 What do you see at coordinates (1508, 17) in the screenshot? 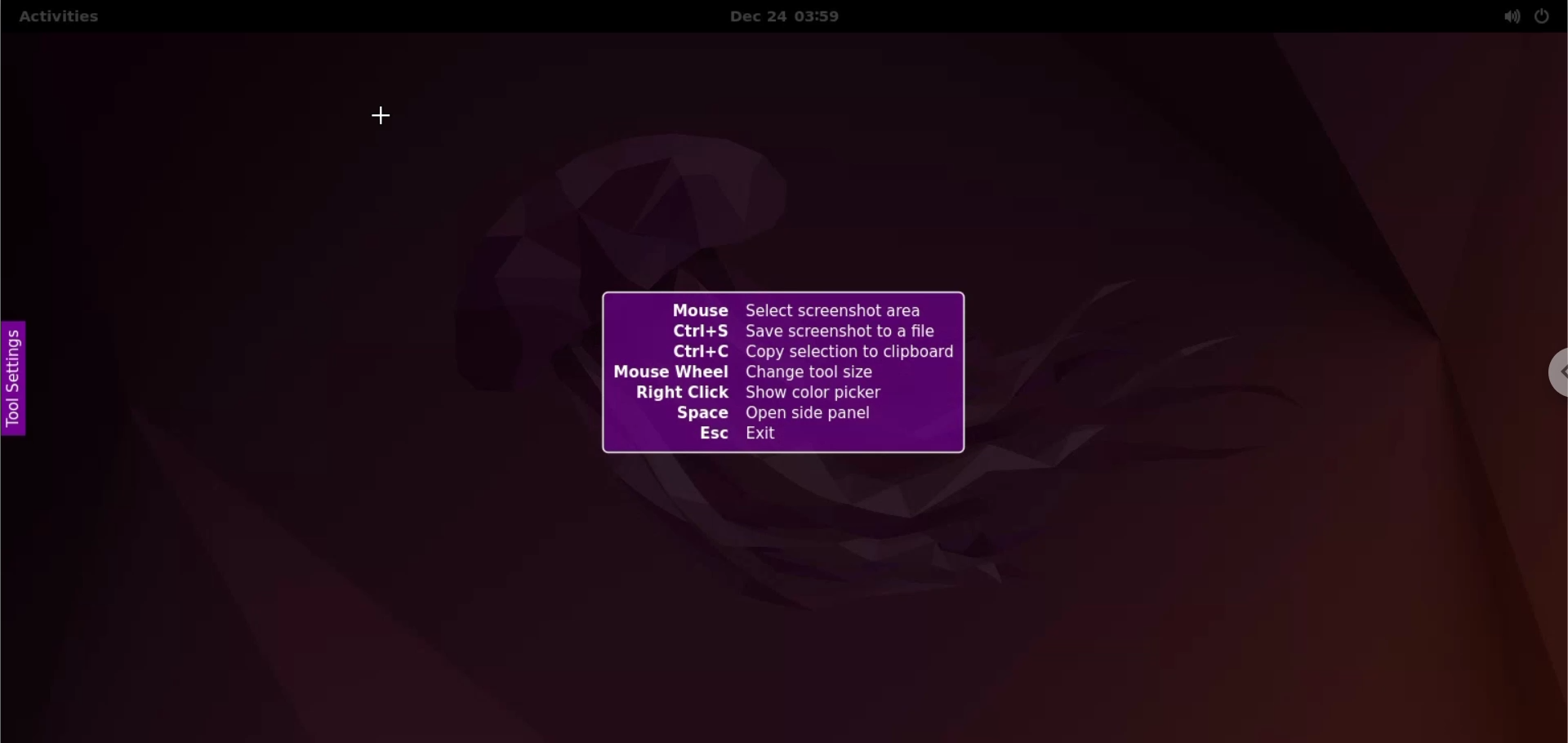
I see `sound options ` at bounding box center [1508, 17].